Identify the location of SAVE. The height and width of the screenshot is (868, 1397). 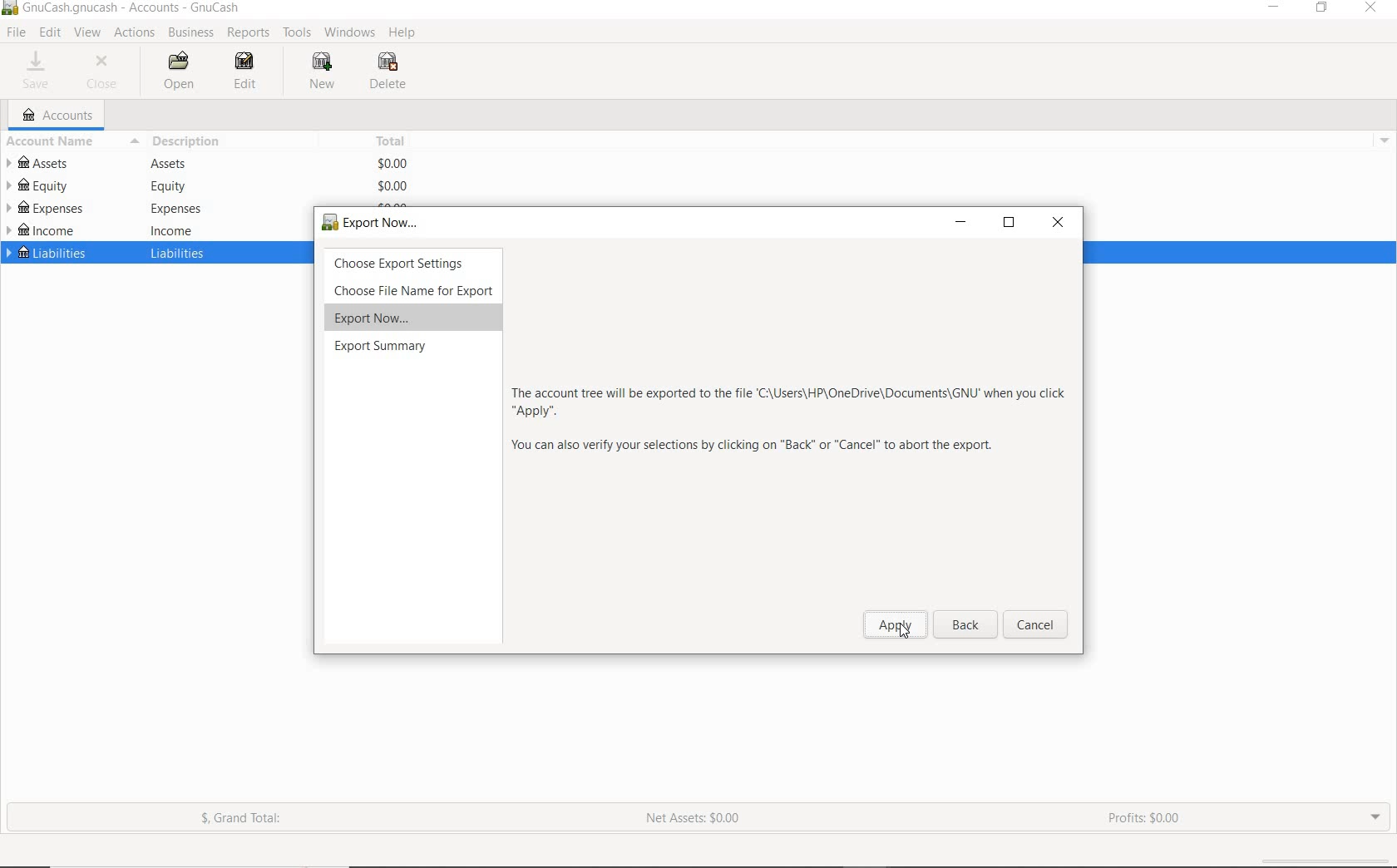
(40, 71).